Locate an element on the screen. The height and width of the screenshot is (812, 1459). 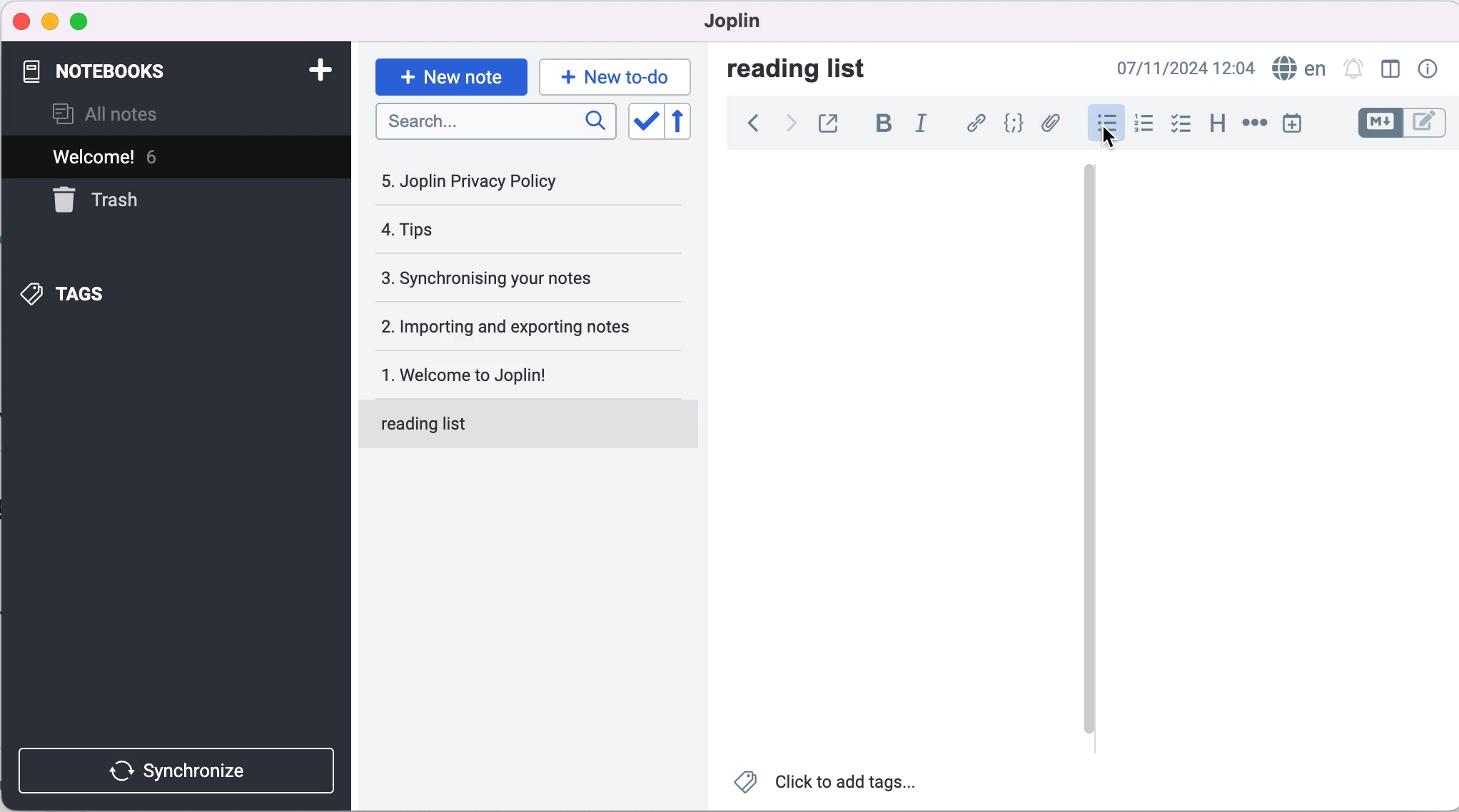
code is located at coordinates (1014, 124).